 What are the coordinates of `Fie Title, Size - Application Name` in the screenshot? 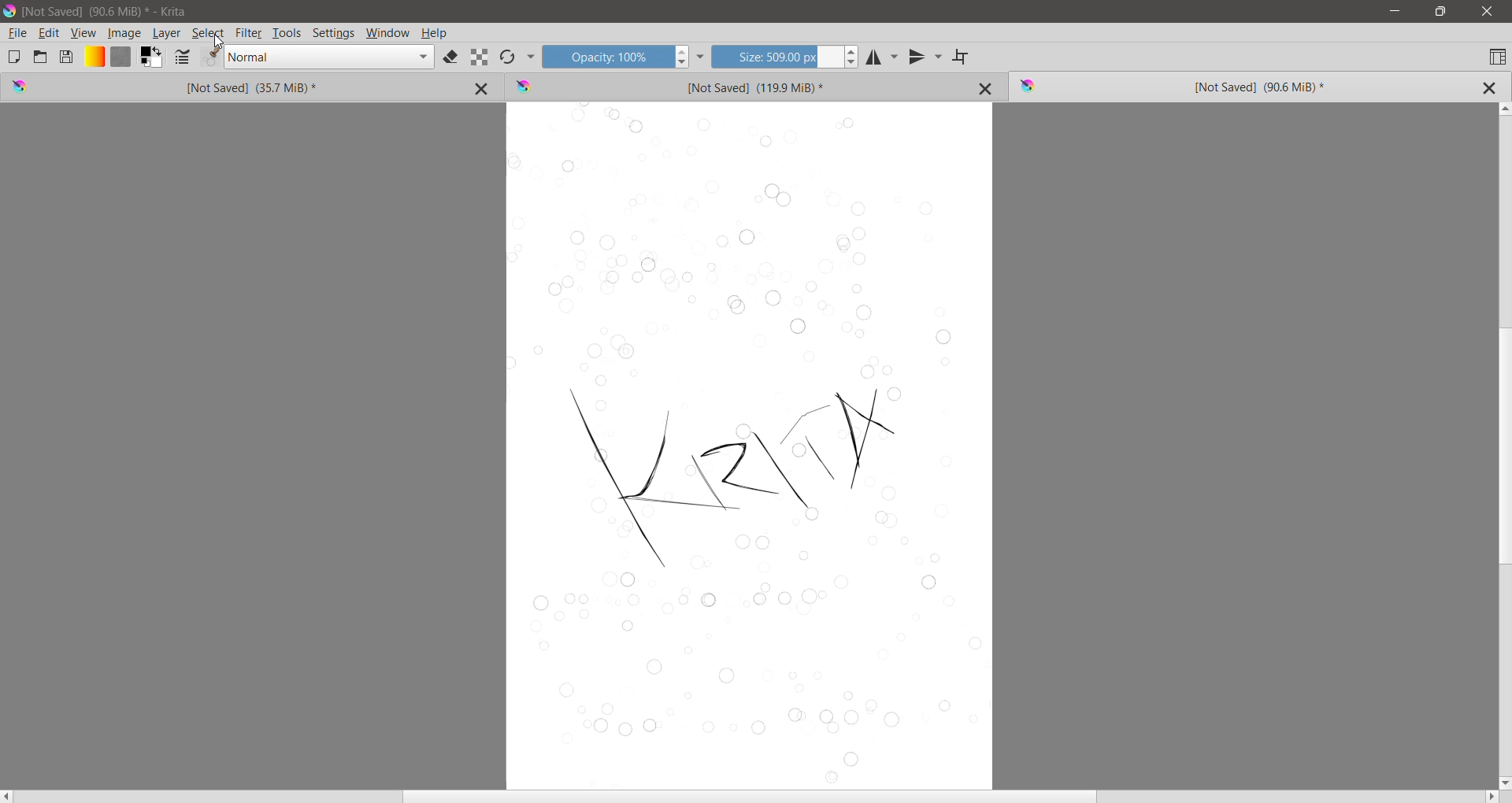 It's located at (109, 12).